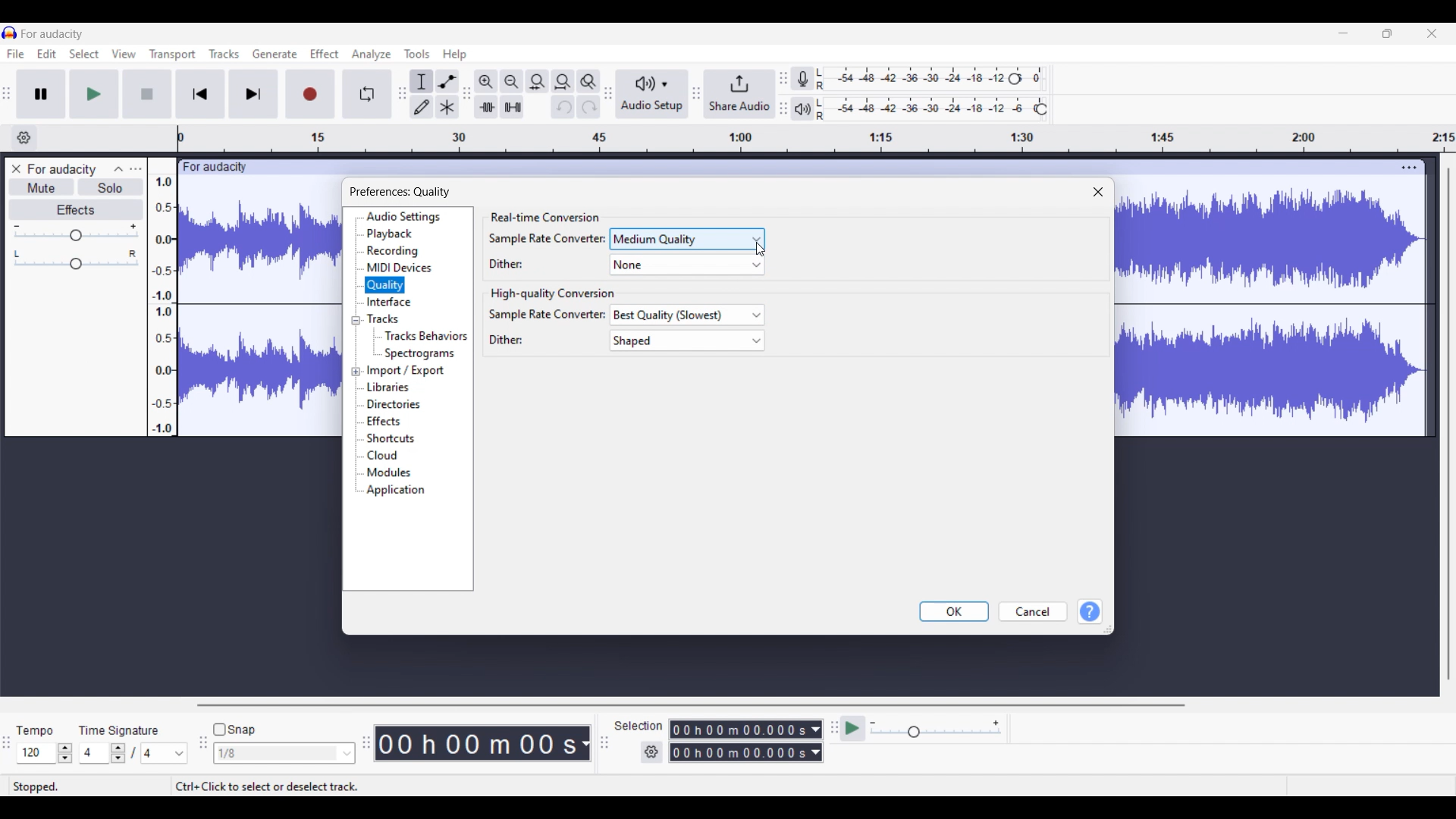 The width and height of the screenshot is (1456, 819). Describe the element at coordinates (16, 54) in the screenshot. I see `File menu` at that location.